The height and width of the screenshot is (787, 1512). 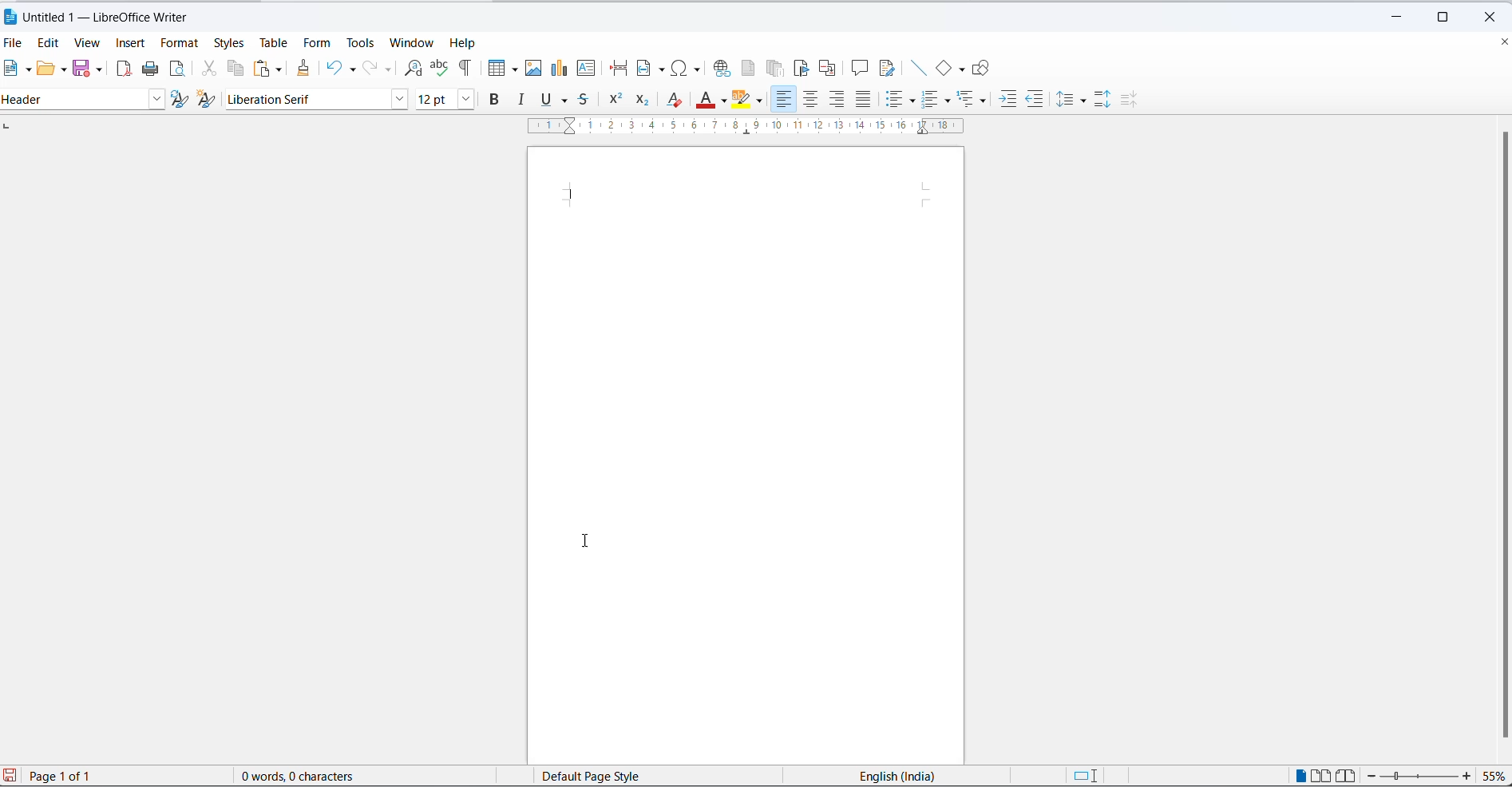 I want to click on close document, so click(x=1502, y=41).